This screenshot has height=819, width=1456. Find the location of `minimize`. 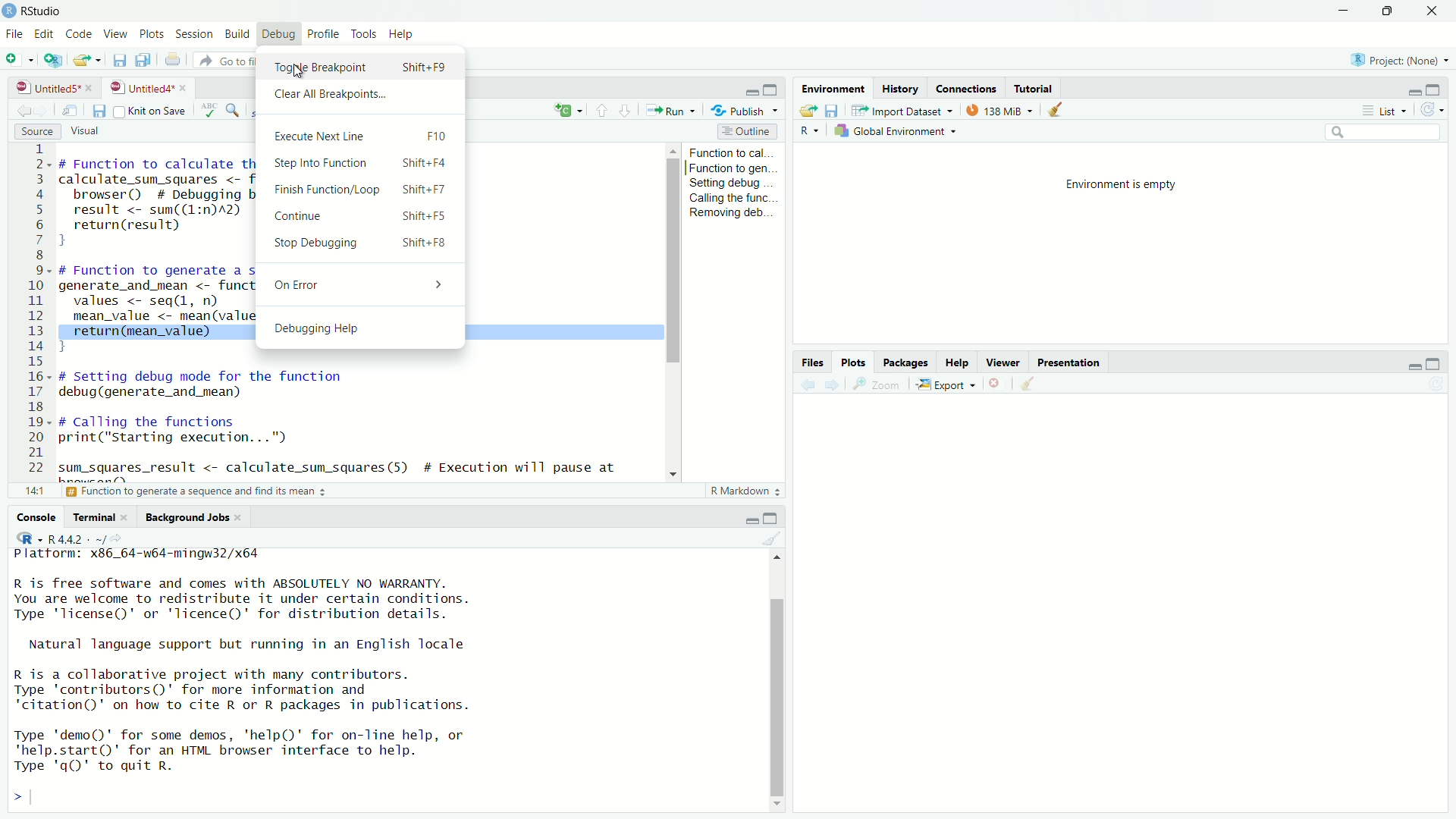

minimize is located at coordinates (1345, 10).